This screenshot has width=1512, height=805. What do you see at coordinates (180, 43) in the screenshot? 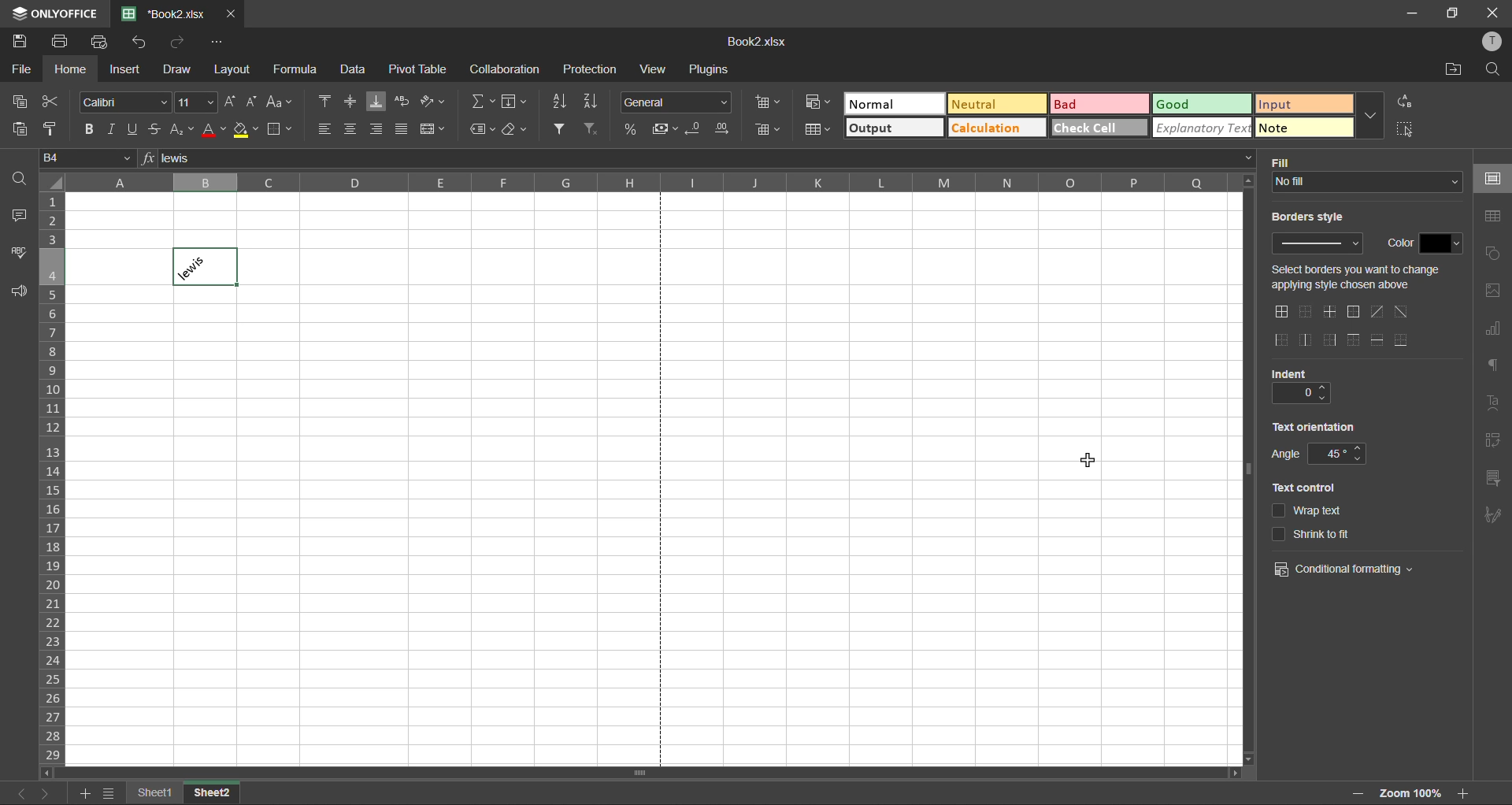
I see `redo` at bounding box center [180, 43].